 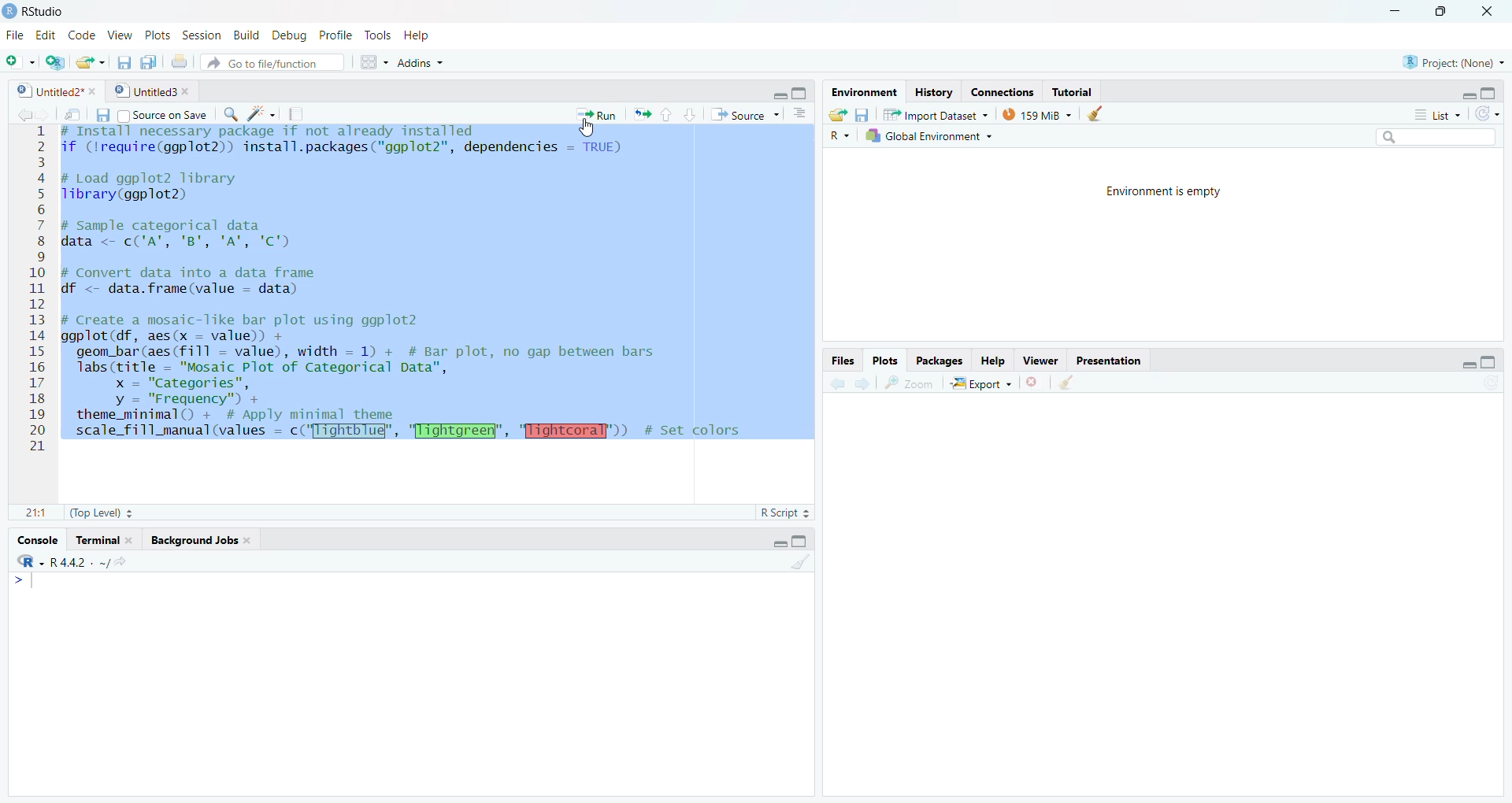 I want to click on # Create a mosaic-like bar plot using ggplot2
ggplot (df, aes(x = value)) +
geom_bar (aes (fill = value), width = 1) + # Bar plot, no gap between bars
labs (title = "Mosaic Plot of Categorical Data",
x = "Categories",
y = "Frequency") +
theme_minimal() + # Apply minimal theme
| scale_fill_manual(values - c('(Tightblue", '[Tightoreen’, 'JHOAECOREN")) # Set colors, so click(x=406, y=384).